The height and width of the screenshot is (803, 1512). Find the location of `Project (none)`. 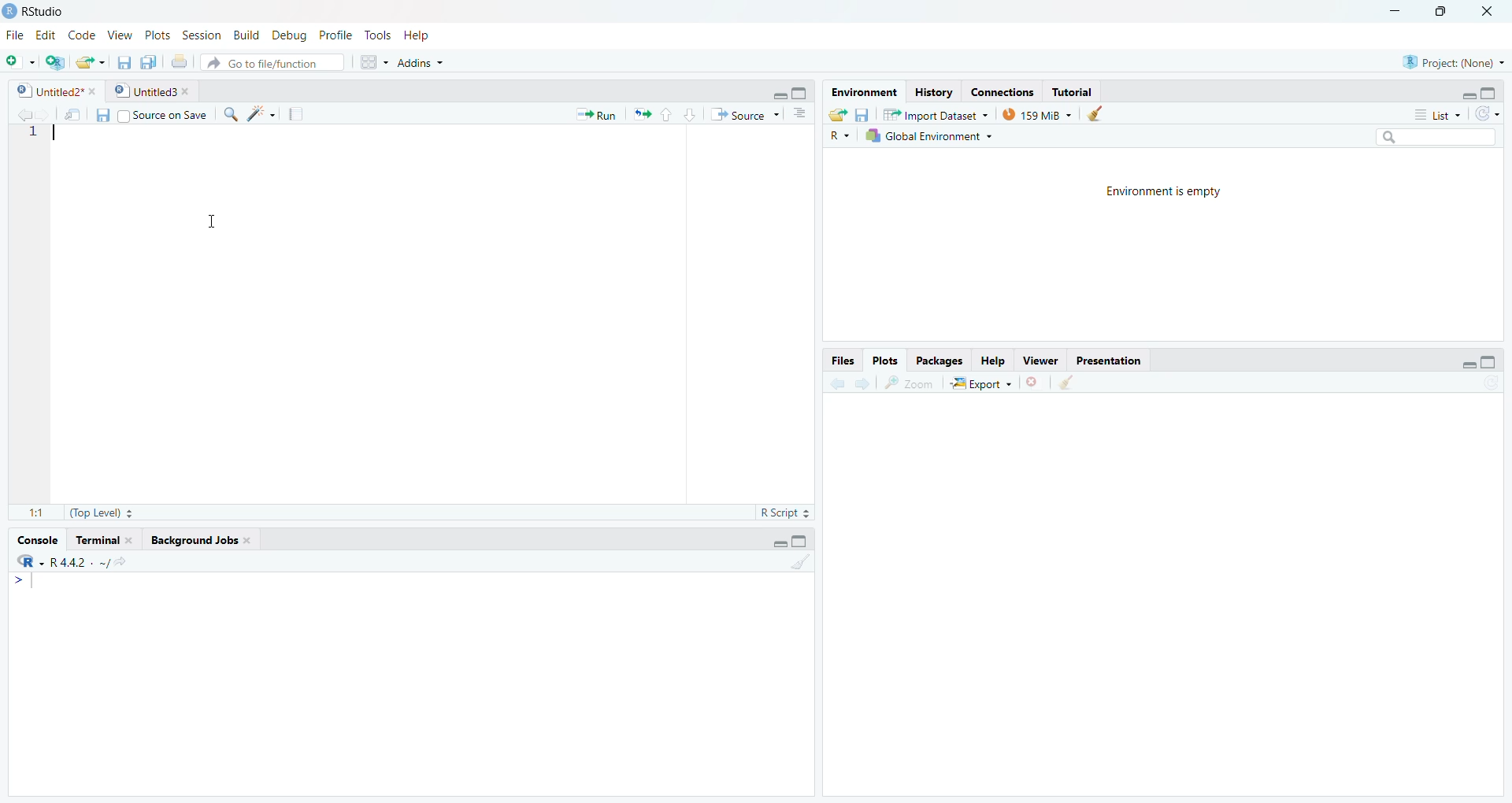

Project (none) is located at coordinates (1452, 61).